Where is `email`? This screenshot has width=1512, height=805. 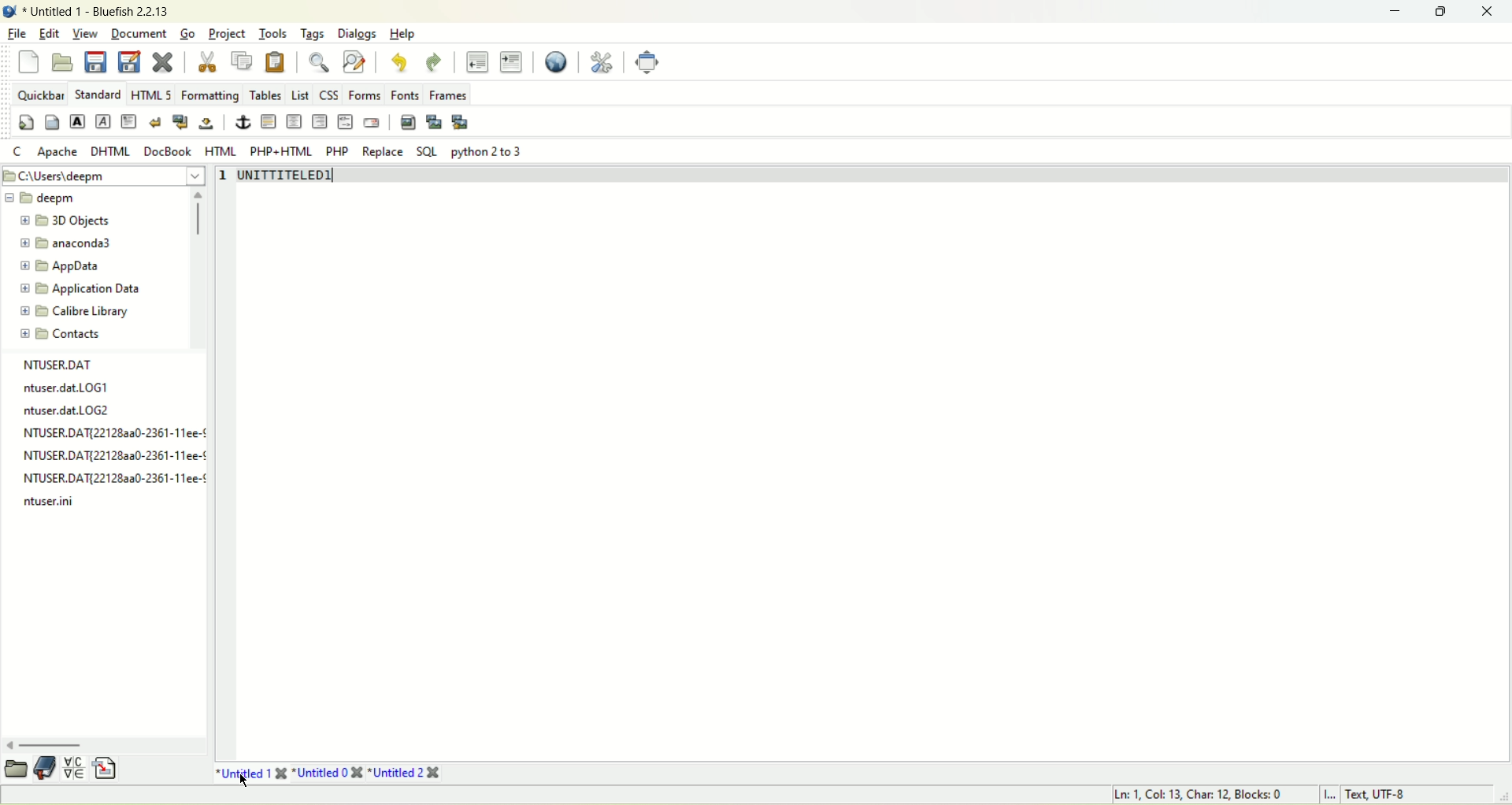
email is located at coordinates (372, 121).